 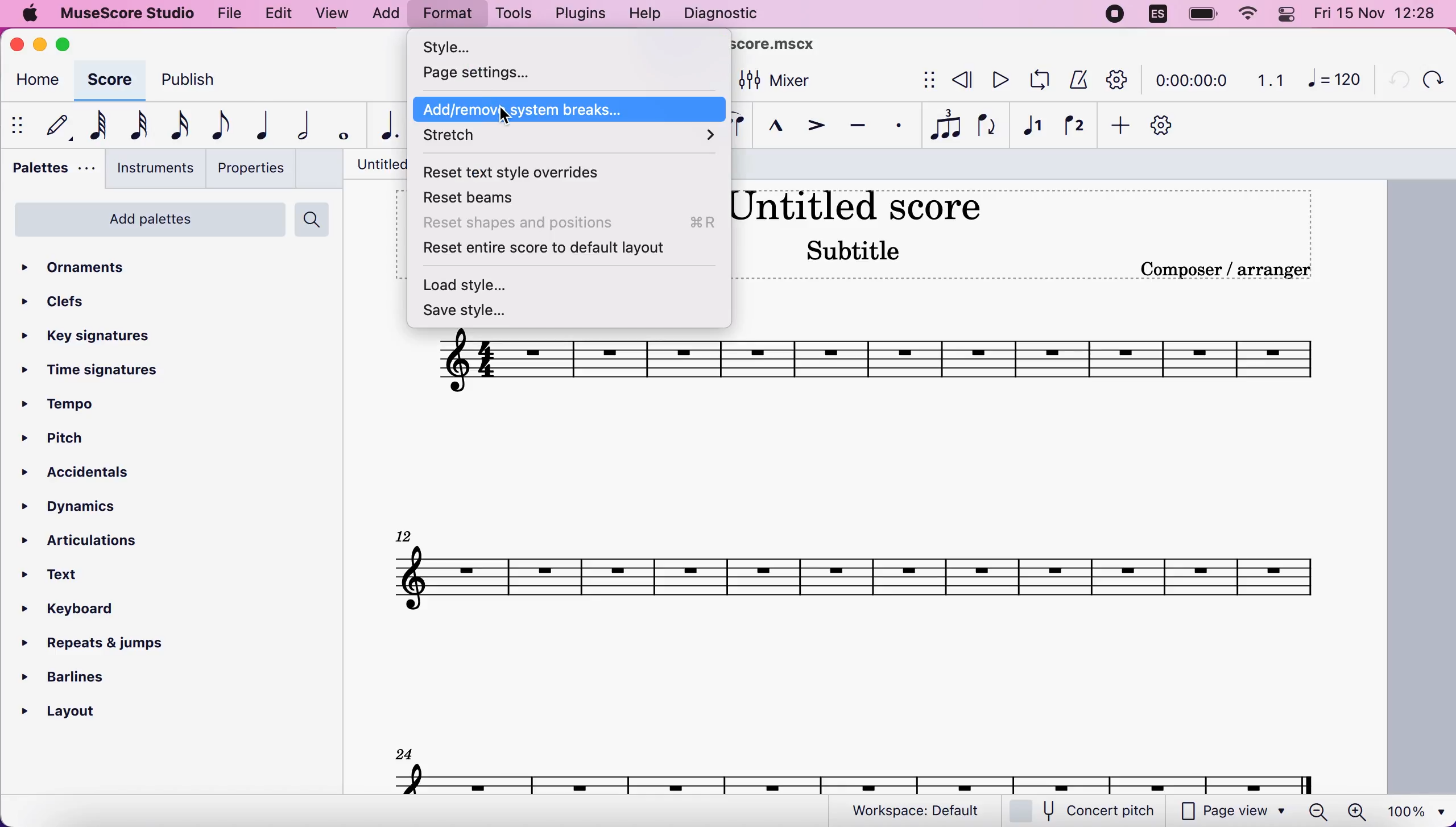 What do you see at coordinates (85, 507) in the screenshot?
I see `dynamics` at bounding box center [85, 507].